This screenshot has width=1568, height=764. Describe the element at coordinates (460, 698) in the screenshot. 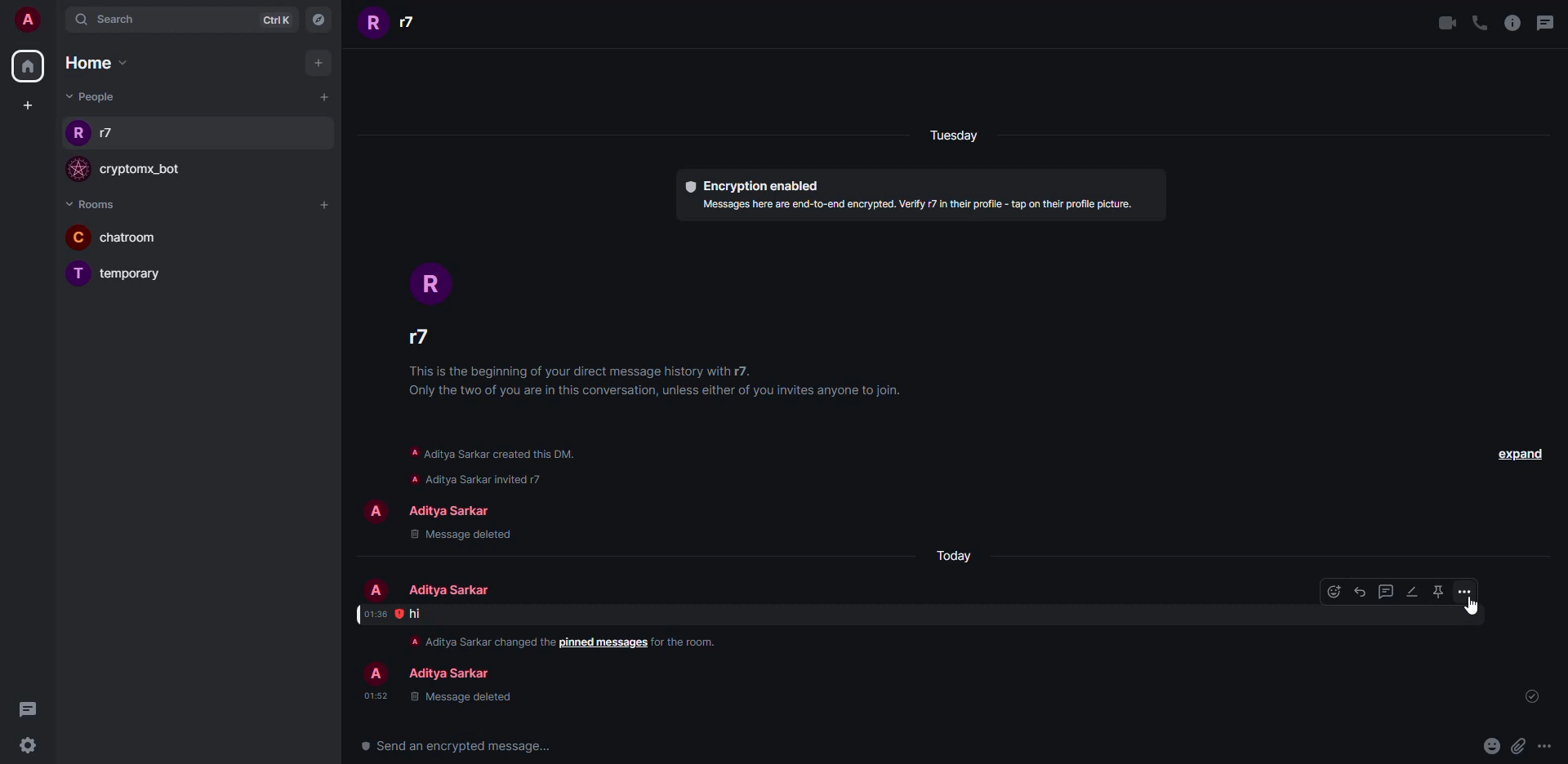

I see `message deleted` at that location.